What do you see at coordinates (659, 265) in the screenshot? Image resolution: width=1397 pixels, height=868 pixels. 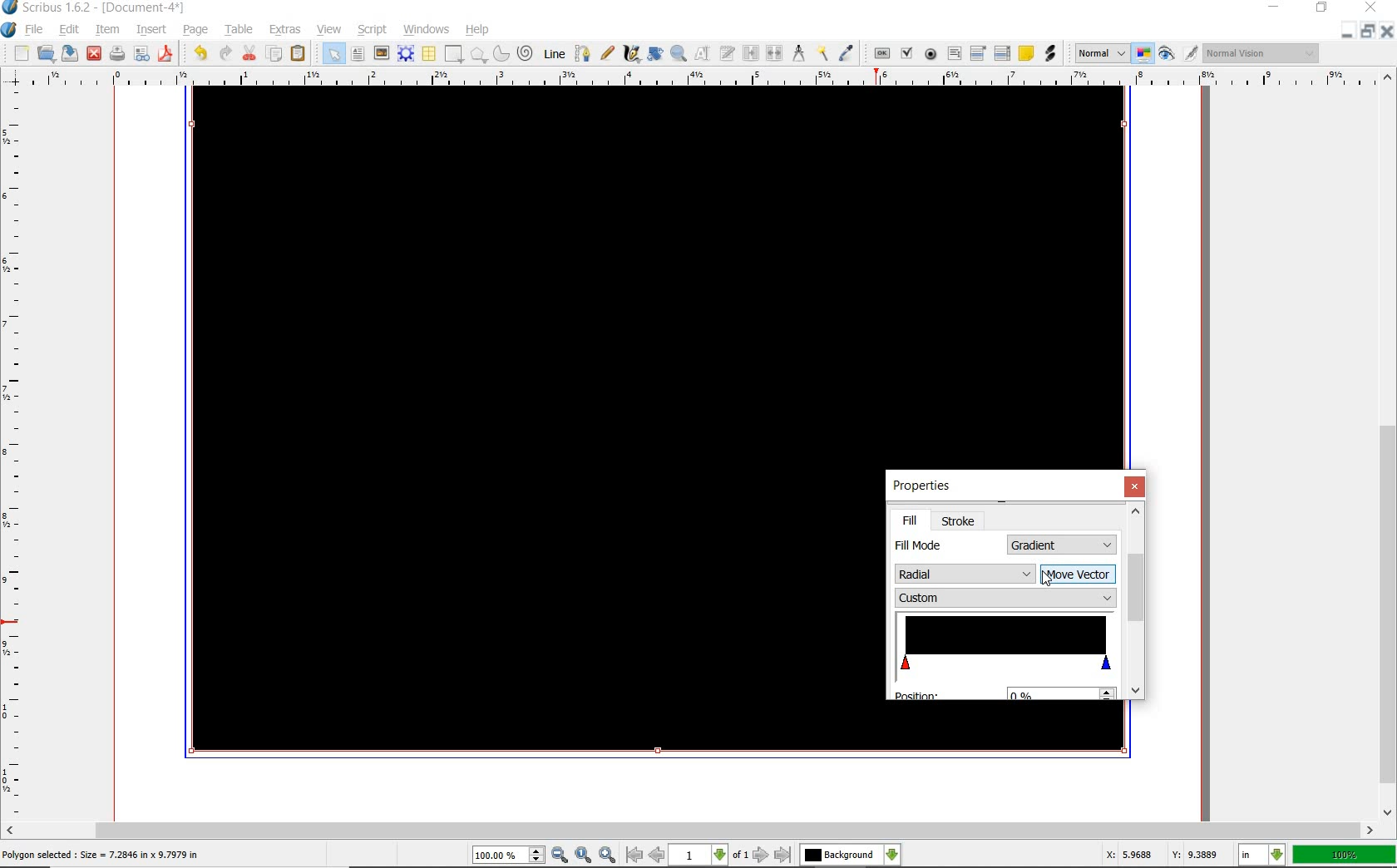 I see `radial gradient added to background` at bounding box center [659, 265].